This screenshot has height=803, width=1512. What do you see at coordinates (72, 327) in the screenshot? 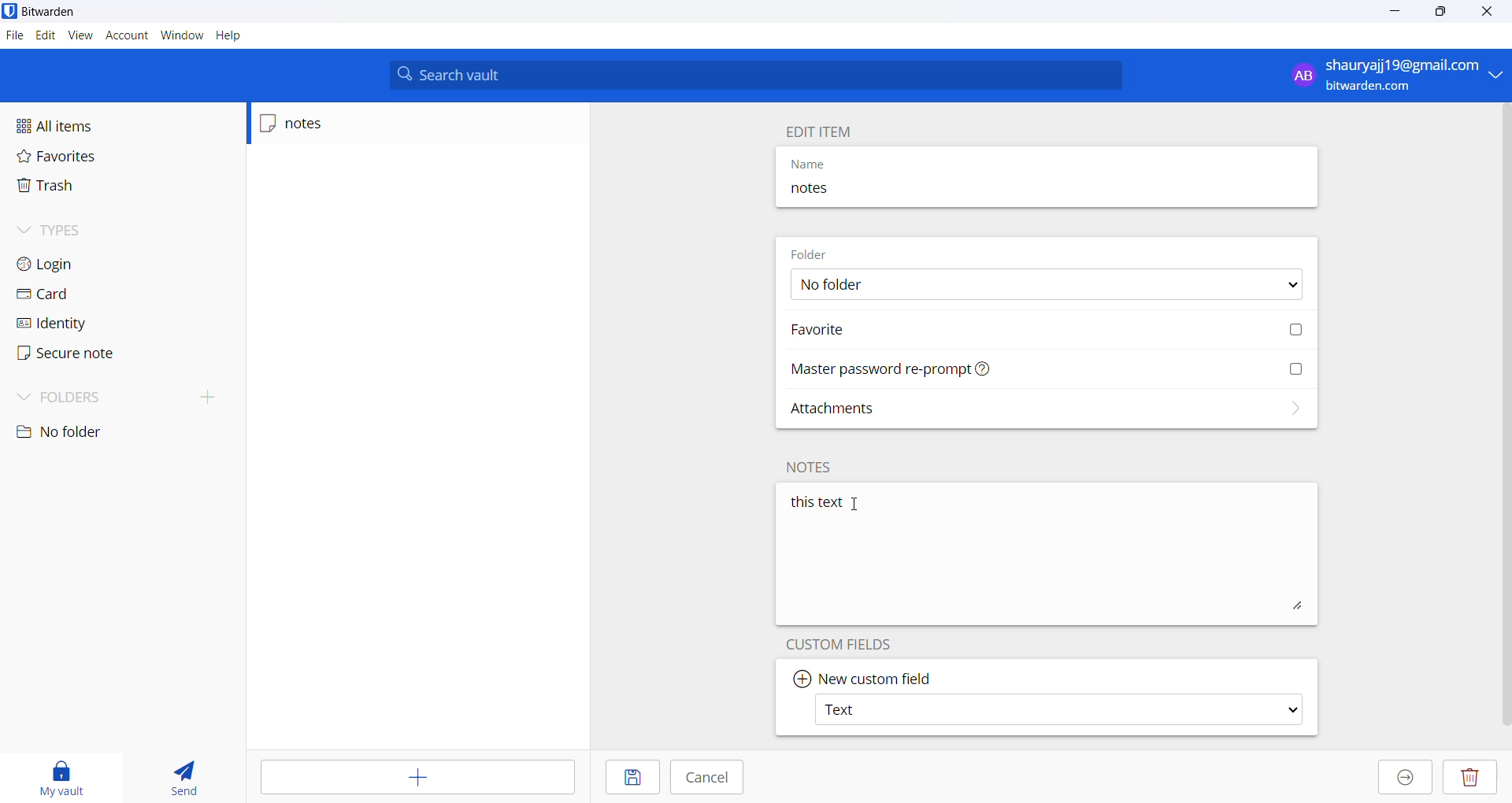
I see `identity` at bounding box center [72, 327].